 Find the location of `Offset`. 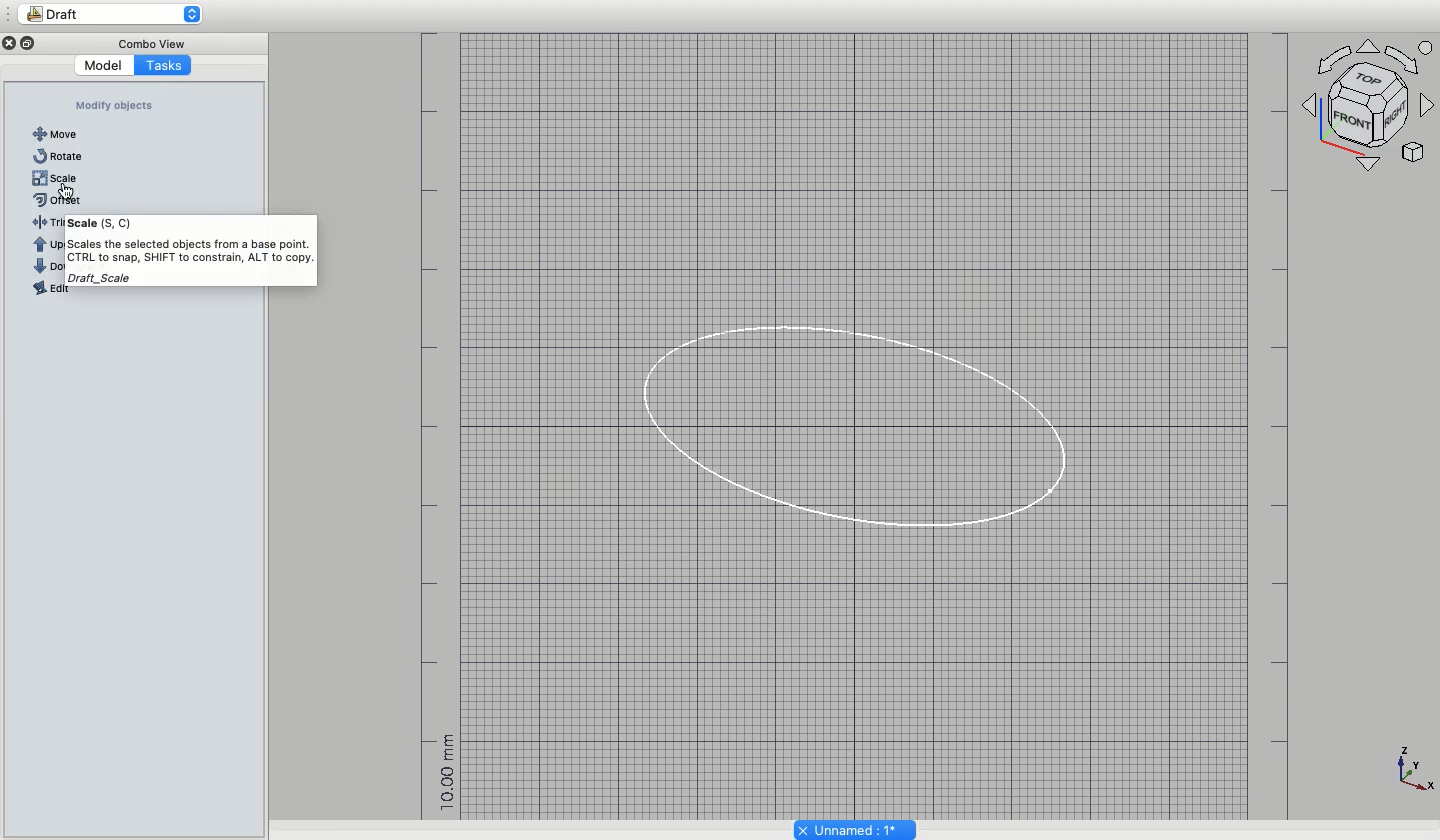

Offset is located at coordinates (62, 200).